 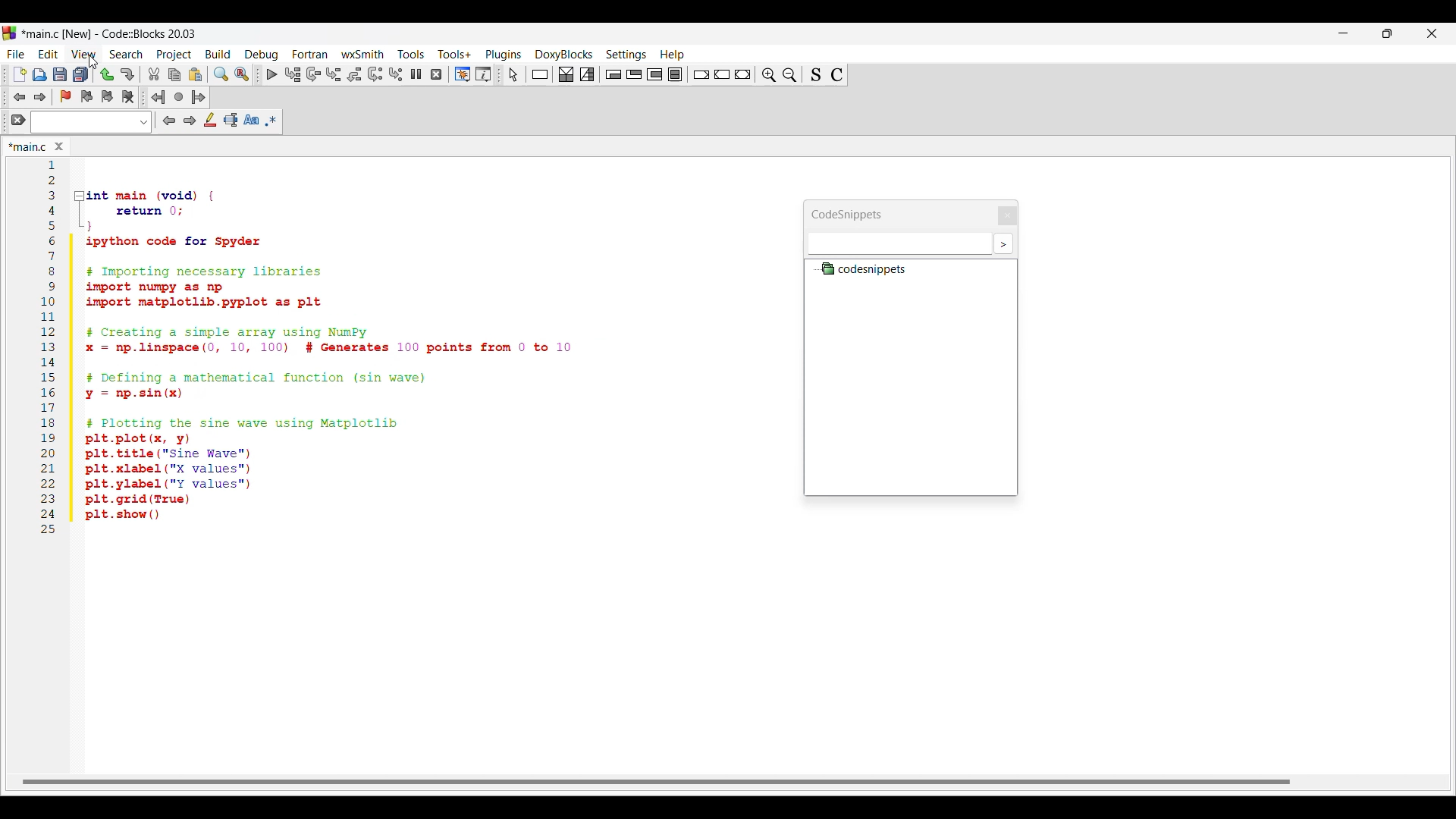 What do you see at coordinates (1387, 33) in the screenshot?
I see `Show in smaller tab` at bounding box center [1387, 33].